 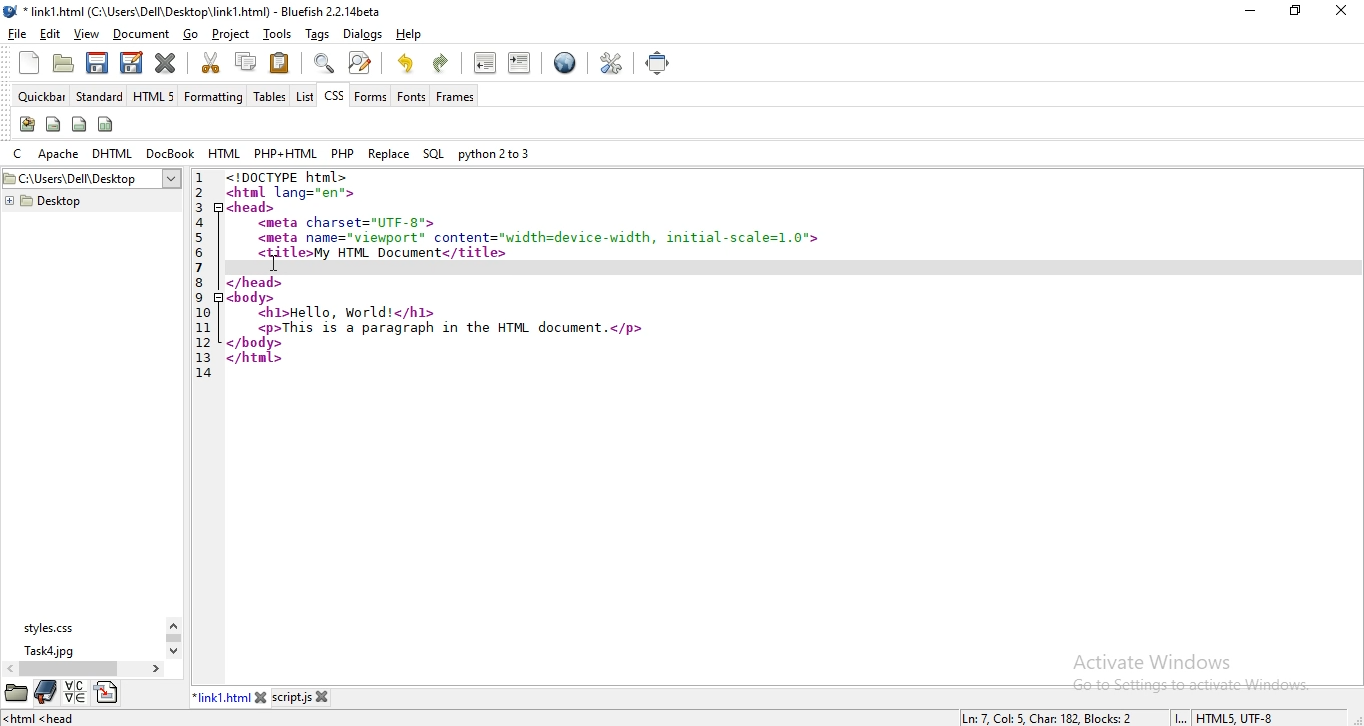 I want to click on unindent, so click(x=486, y=63).